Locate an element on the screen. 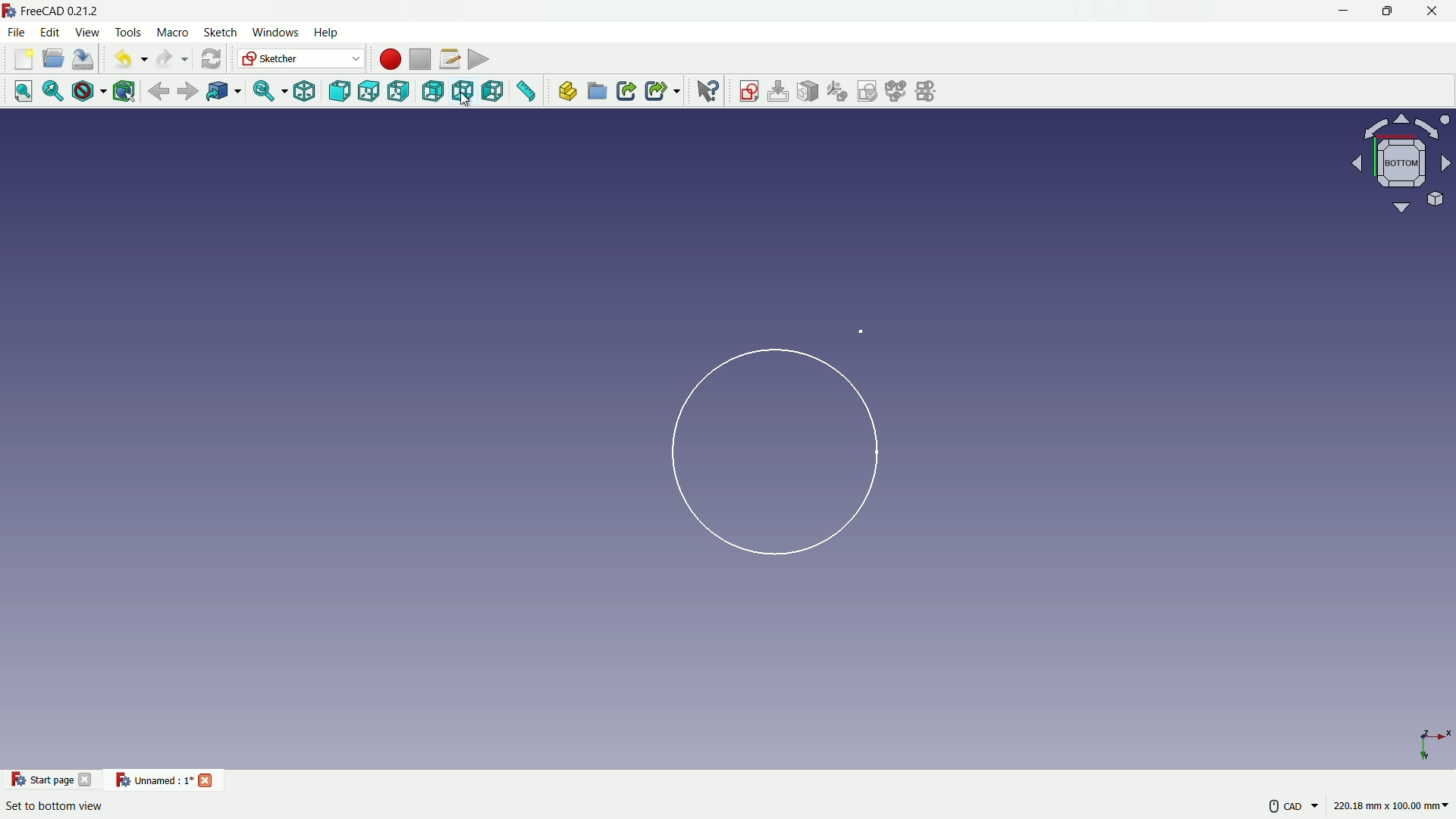 The width and height of the screenshot is (1456, 819). edit sketch is located at coordinates (779, 91).